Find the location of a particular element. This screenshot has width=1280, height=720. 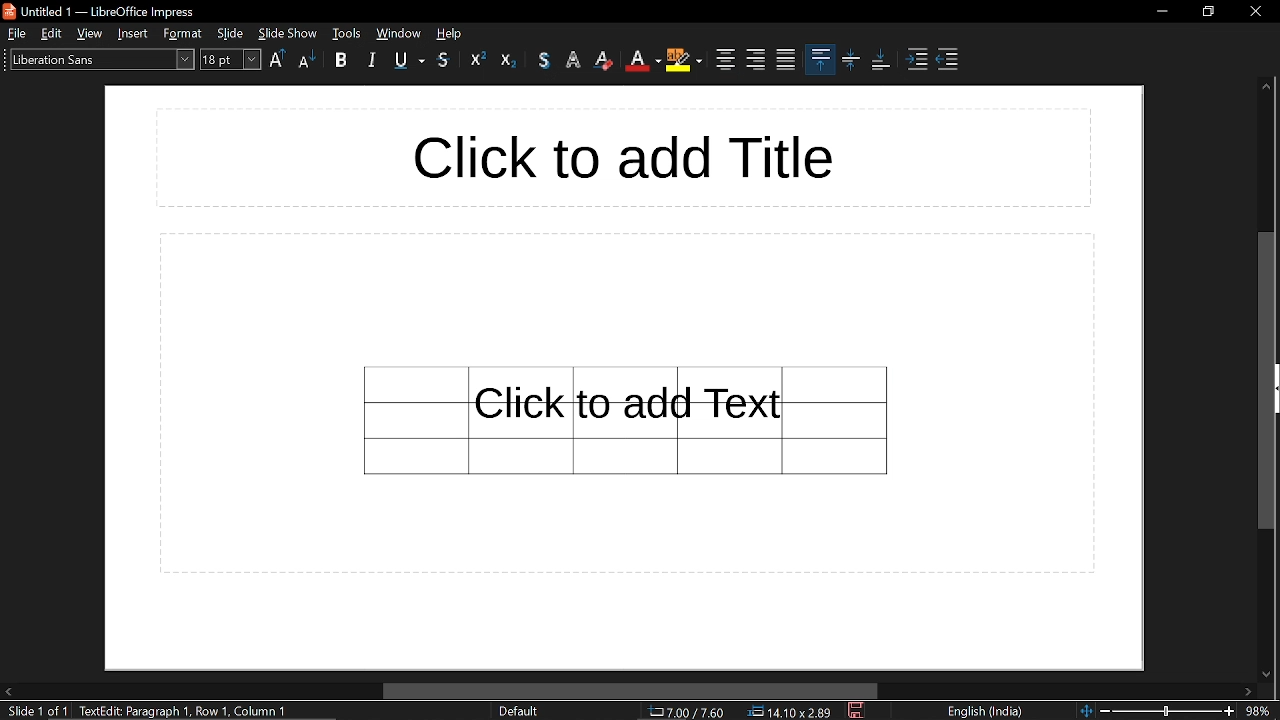

superscript is located at coordinates (478, 59).